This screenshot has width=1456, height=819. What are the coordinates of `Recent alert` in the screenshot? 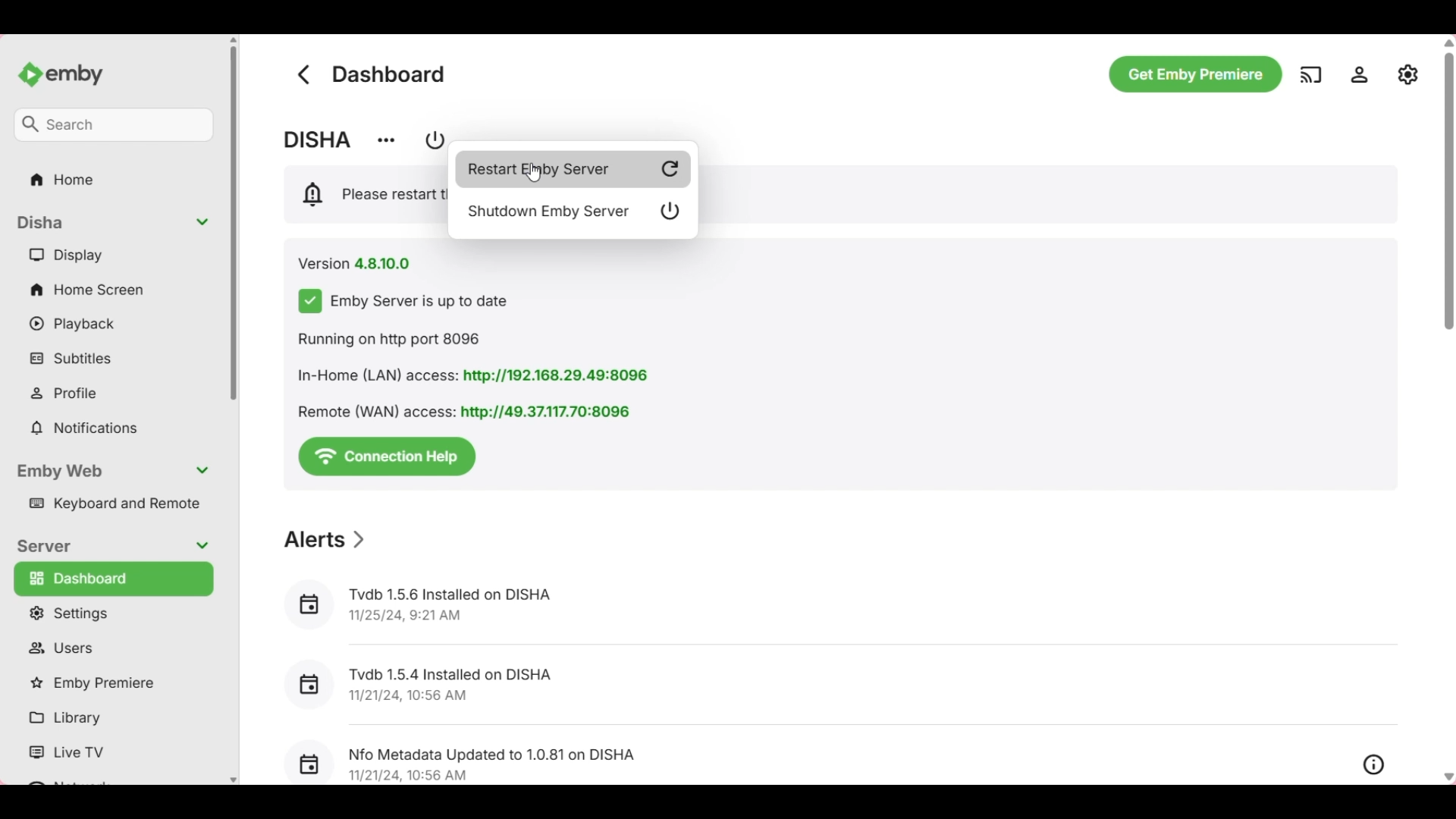 It's located at (836, 606).